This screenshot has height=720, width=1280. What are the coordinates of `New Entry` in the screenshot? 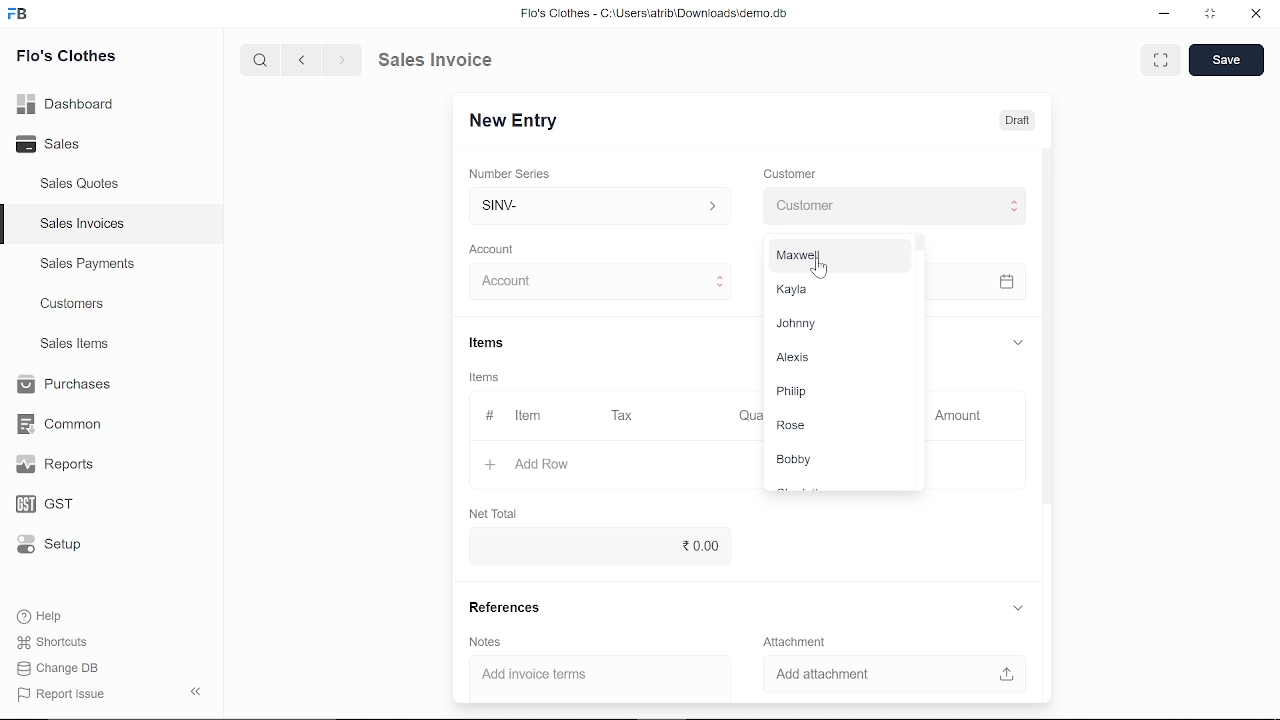 It's located at (521, 121).